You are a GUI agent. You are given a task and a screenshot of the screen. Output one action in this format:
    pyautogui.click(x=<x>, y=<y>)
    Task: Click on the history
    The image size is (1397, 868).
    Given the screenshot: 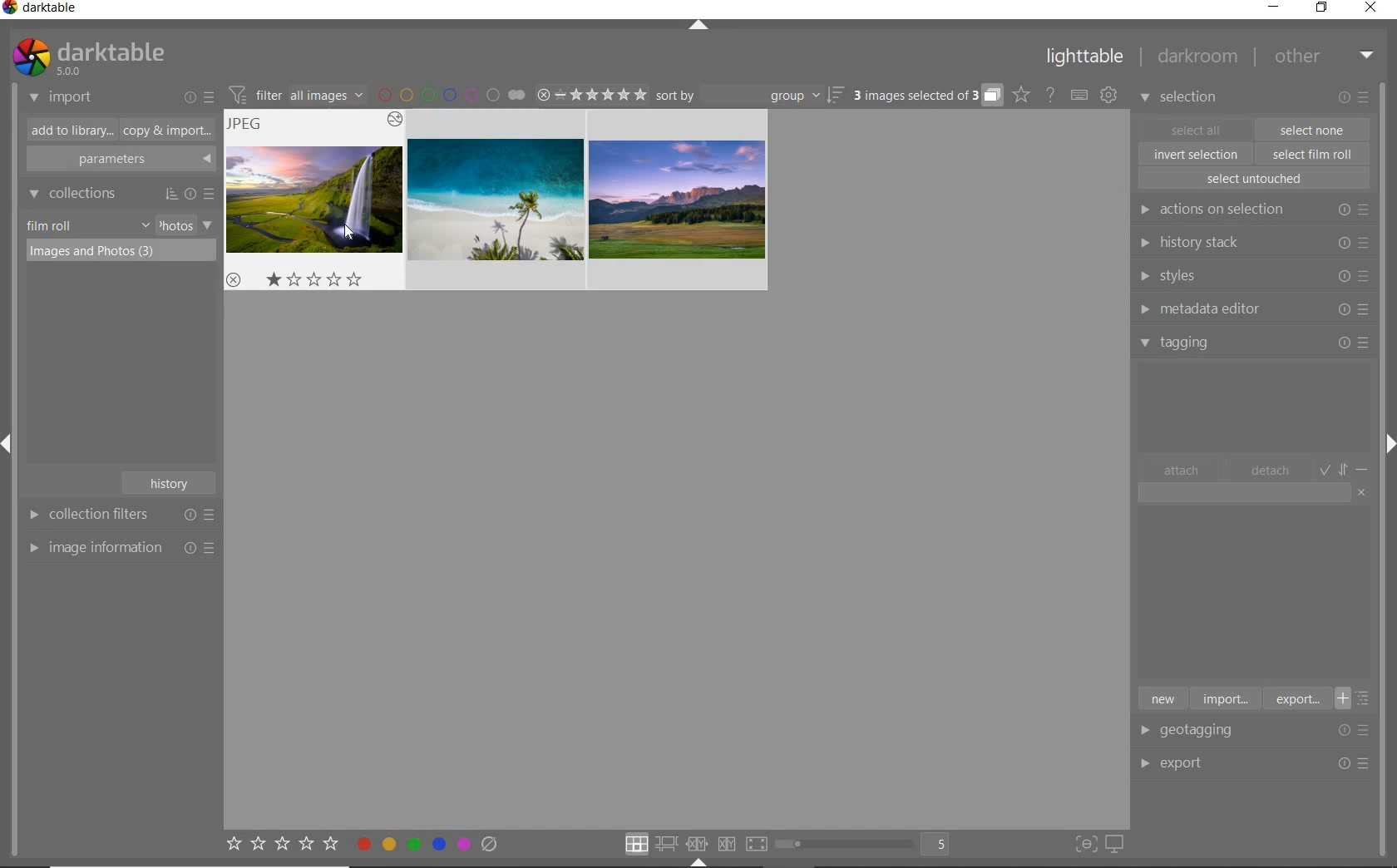 What is the action you would take?
    pyautogui.click(x=171, y=481)
    